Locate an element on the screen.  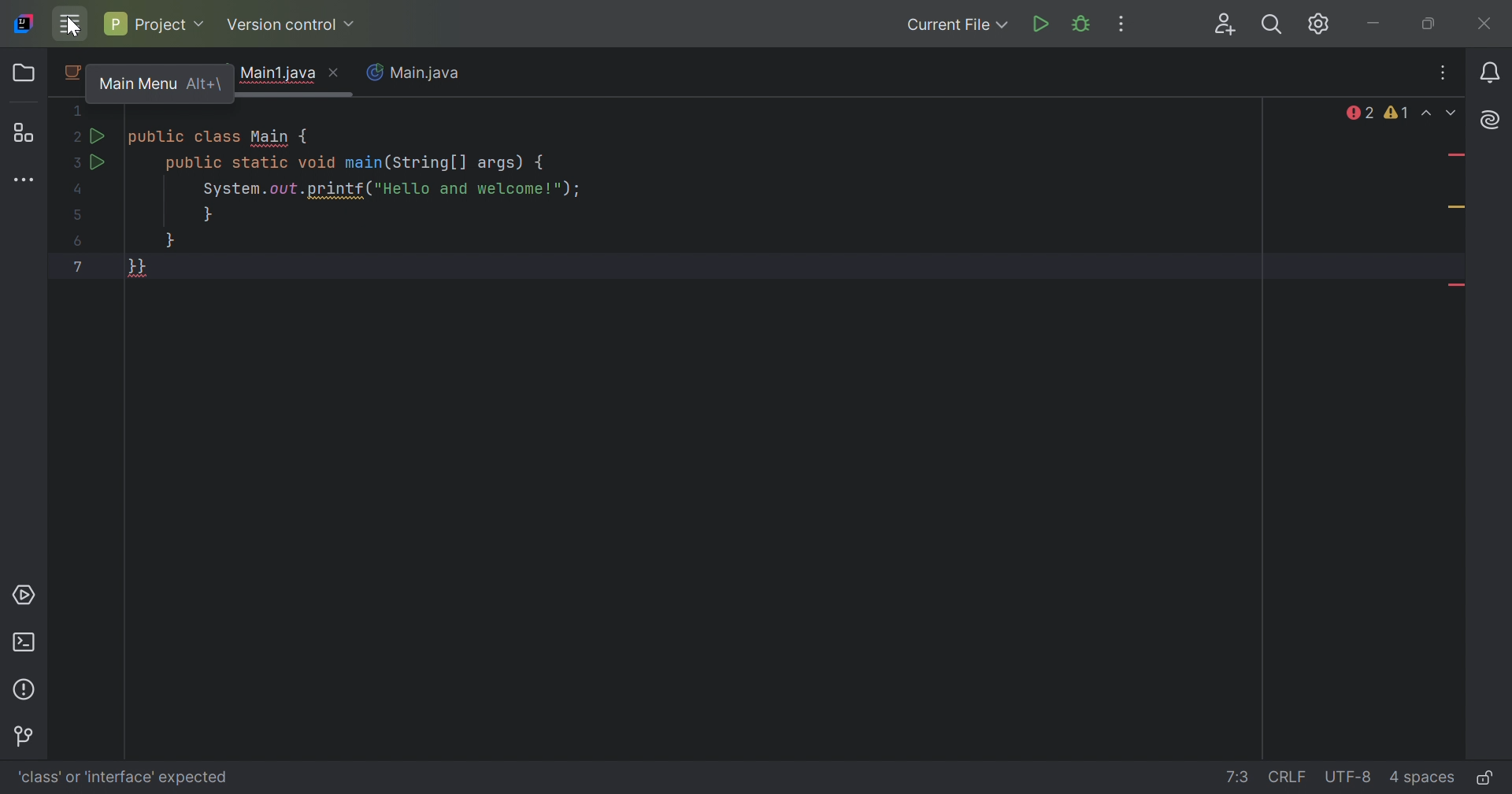
Run is located at coordinates (98, 137).